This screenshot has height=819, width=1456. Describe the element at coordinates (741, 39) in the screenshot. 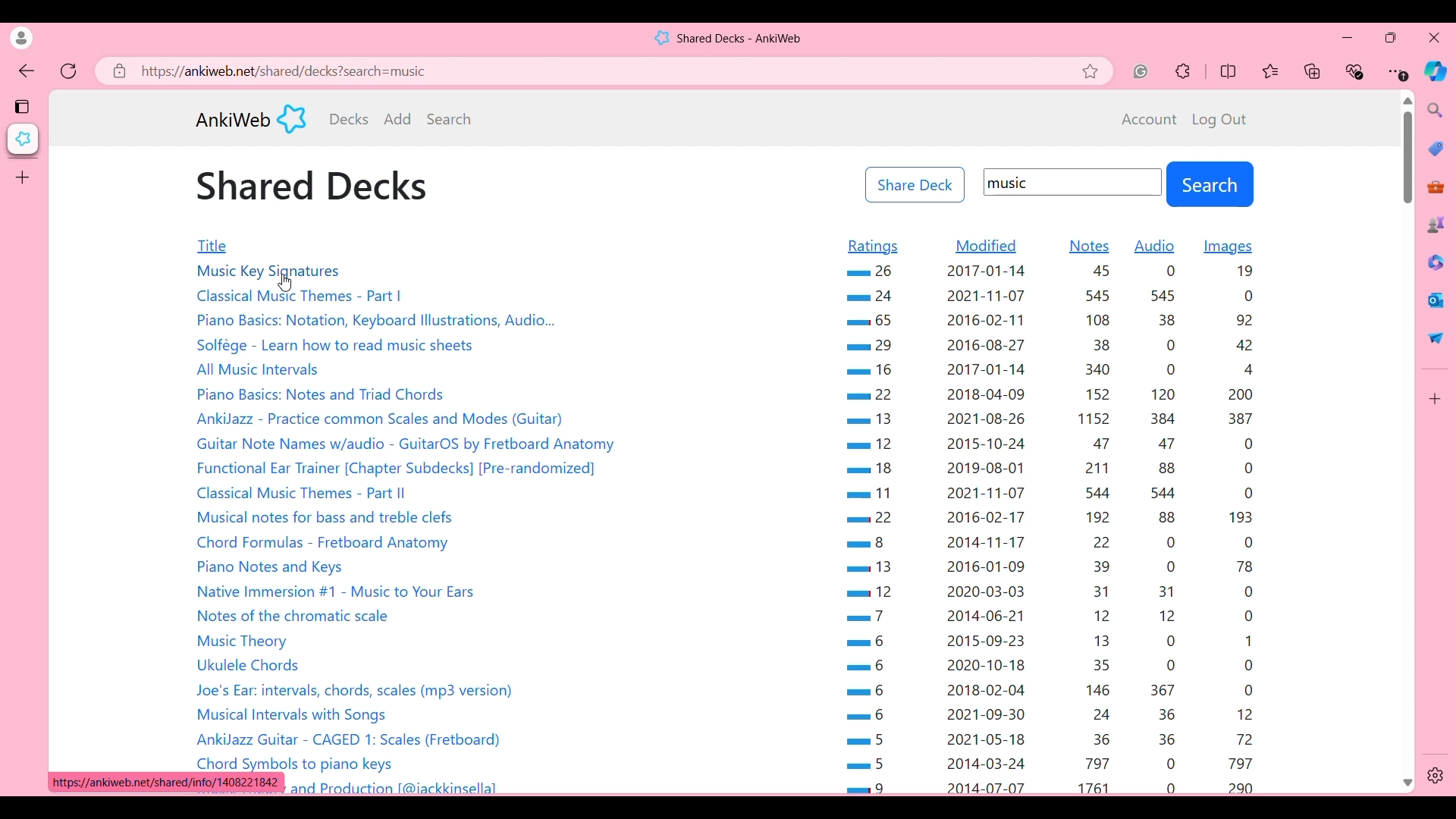

I see `Shared Decks - AnkiWeb` at that location.